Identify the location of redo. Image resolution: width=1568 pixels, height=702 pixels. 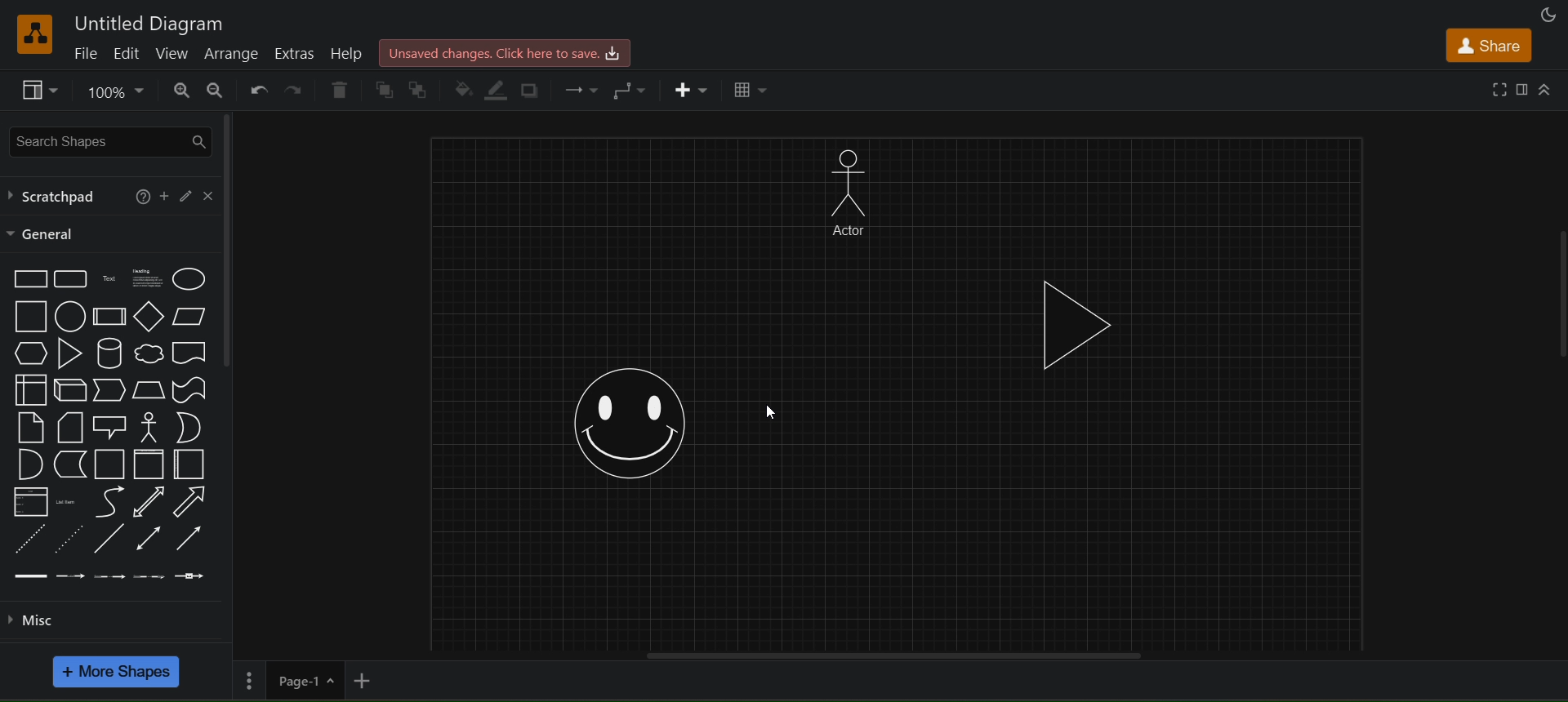
(297, 88).